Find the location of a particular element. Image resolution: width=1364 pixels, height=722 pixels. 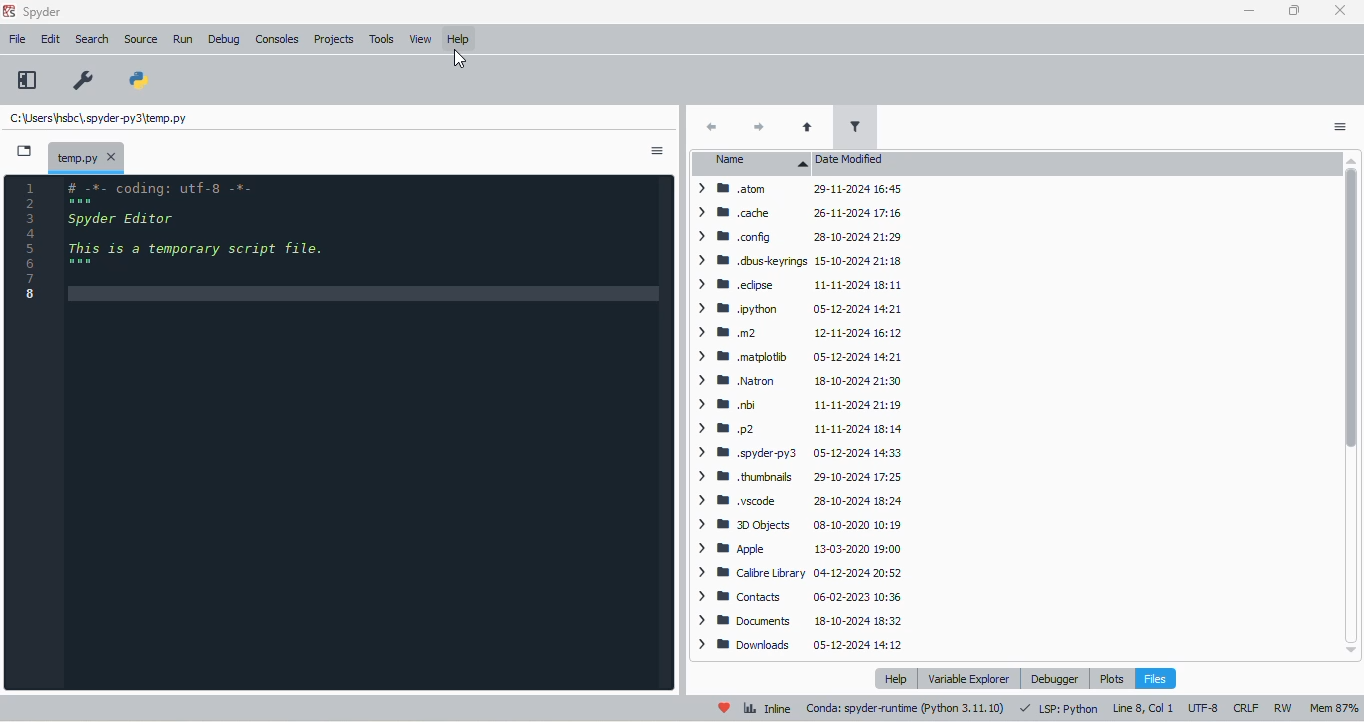

minimize is located at coordinates (1251, 9).